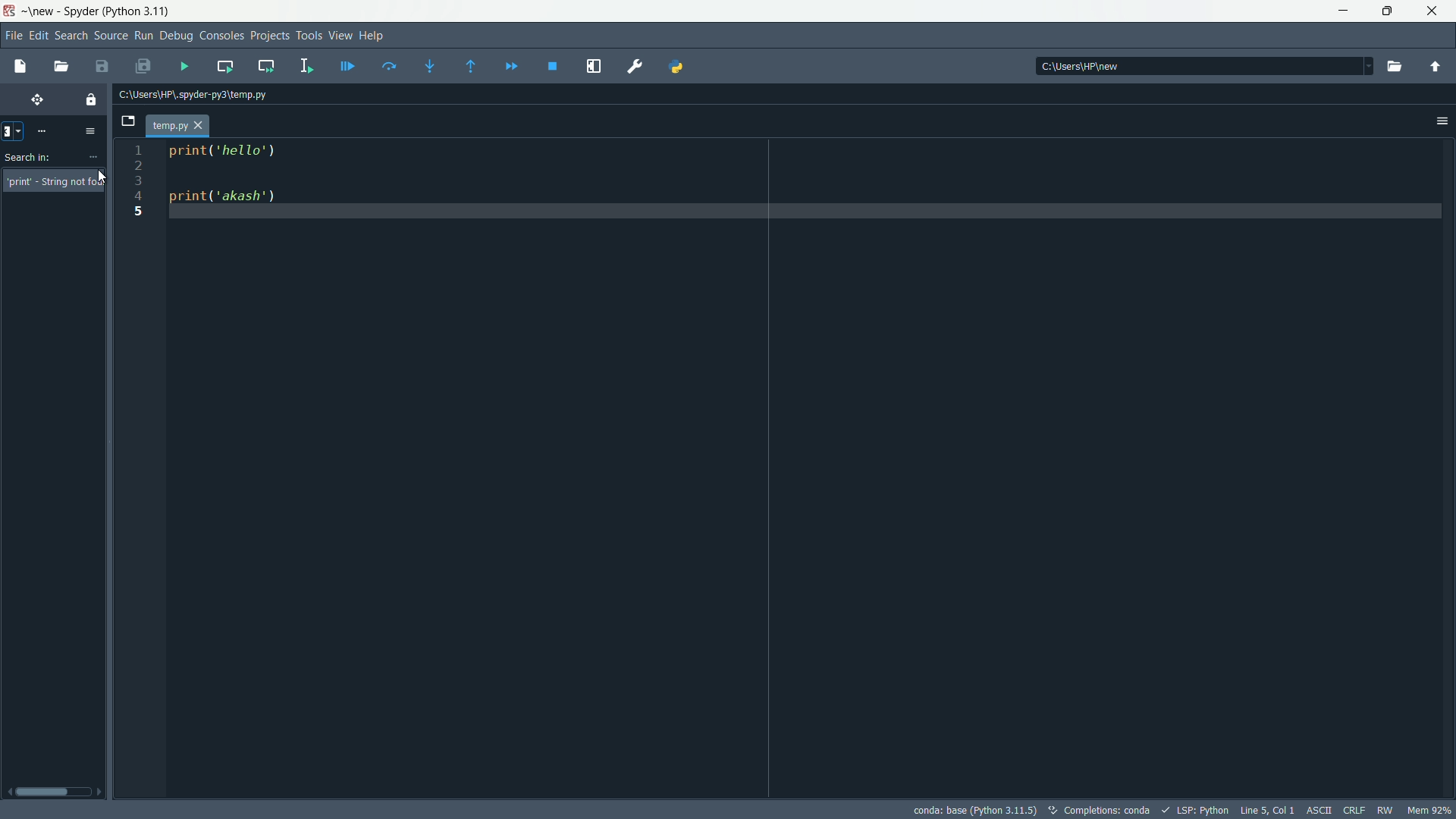 The height and width of the screenshot is (819, 1456). What do you see at coordinates (58, 791) in the screenshot?
I see `Scroll bar` at bounding box center [58, 791].